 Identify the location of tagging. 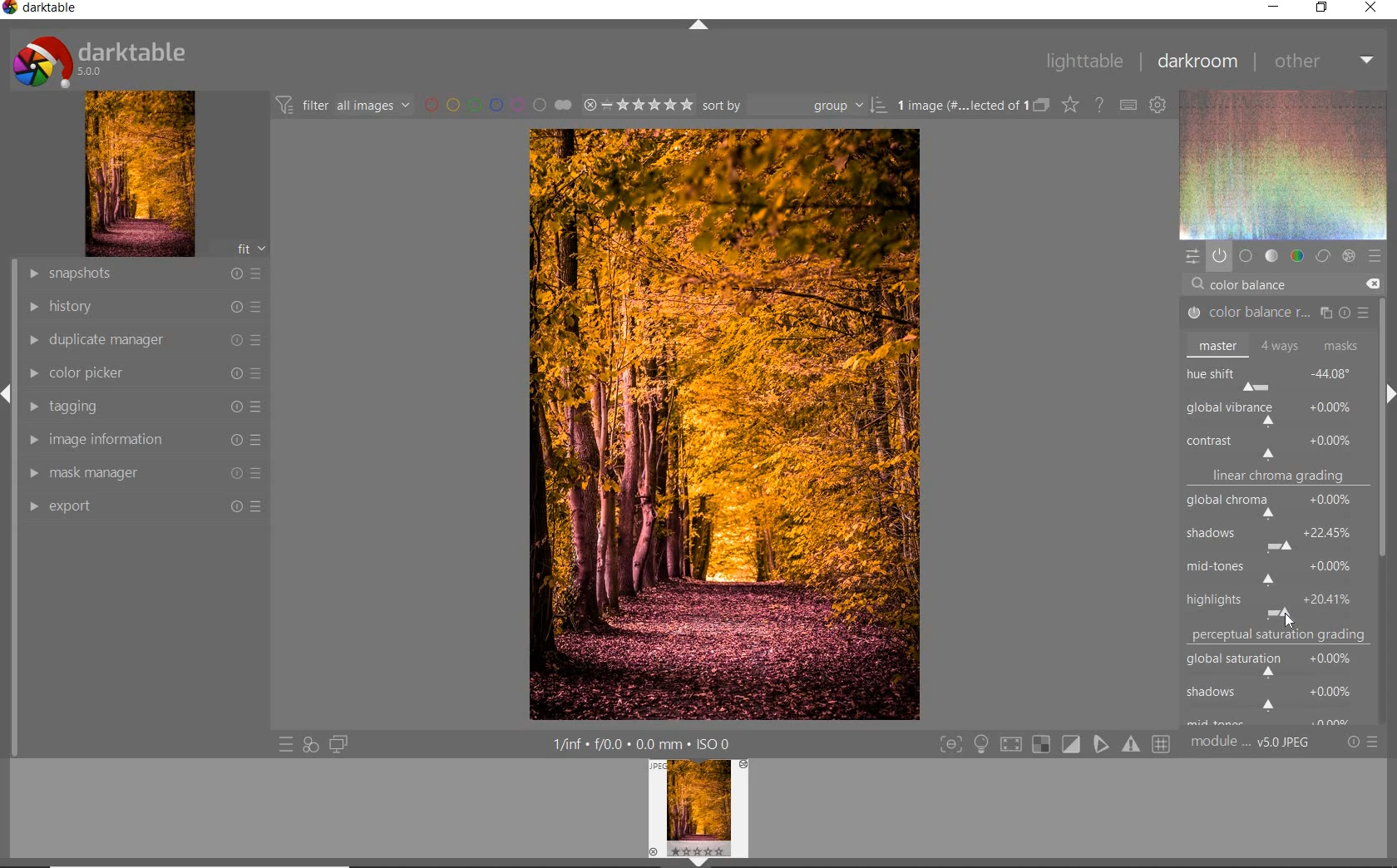
(143, 408).